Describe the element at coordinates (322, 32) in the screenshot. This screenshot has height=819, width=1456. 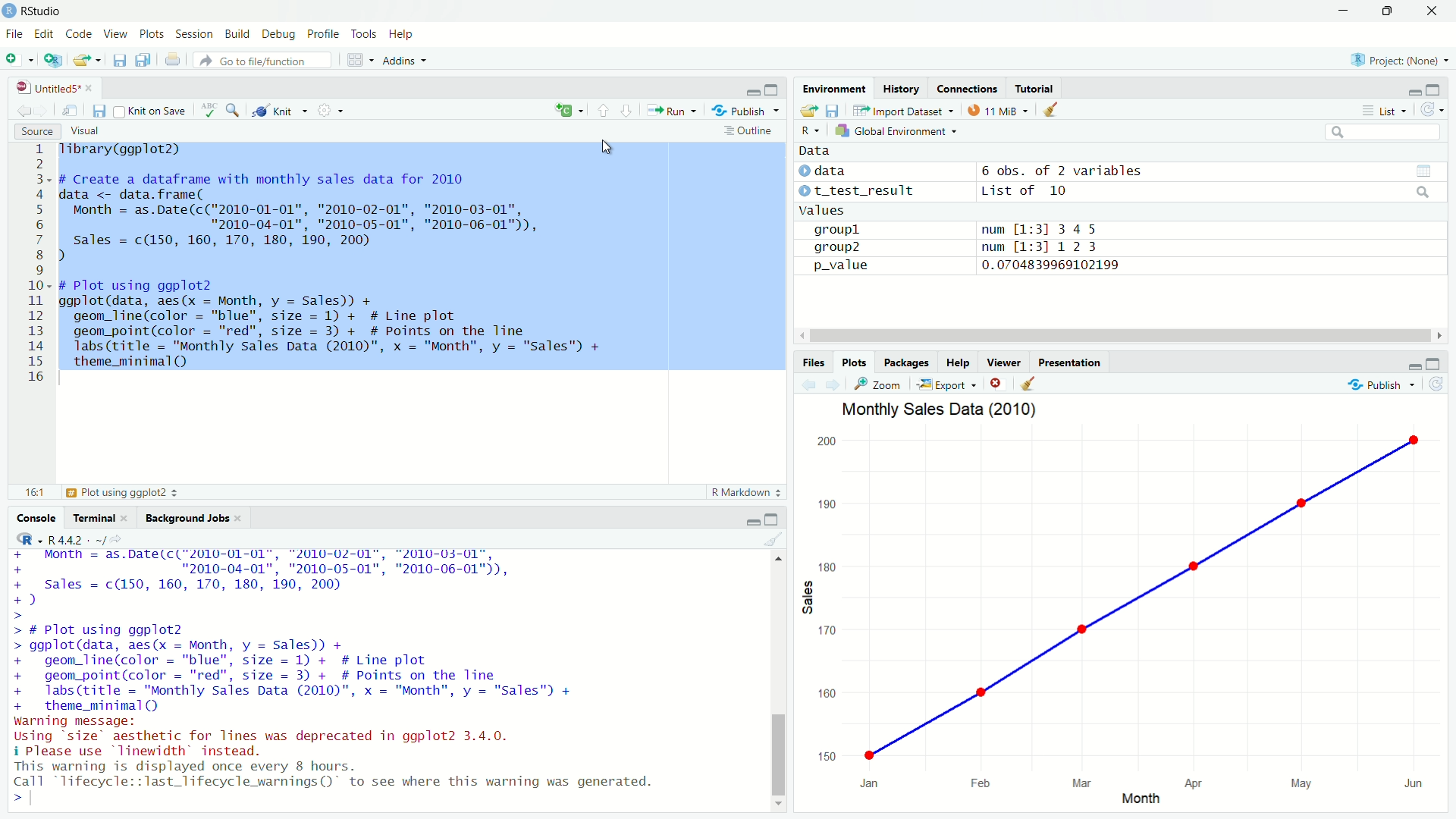
I see `Profile` at that location.